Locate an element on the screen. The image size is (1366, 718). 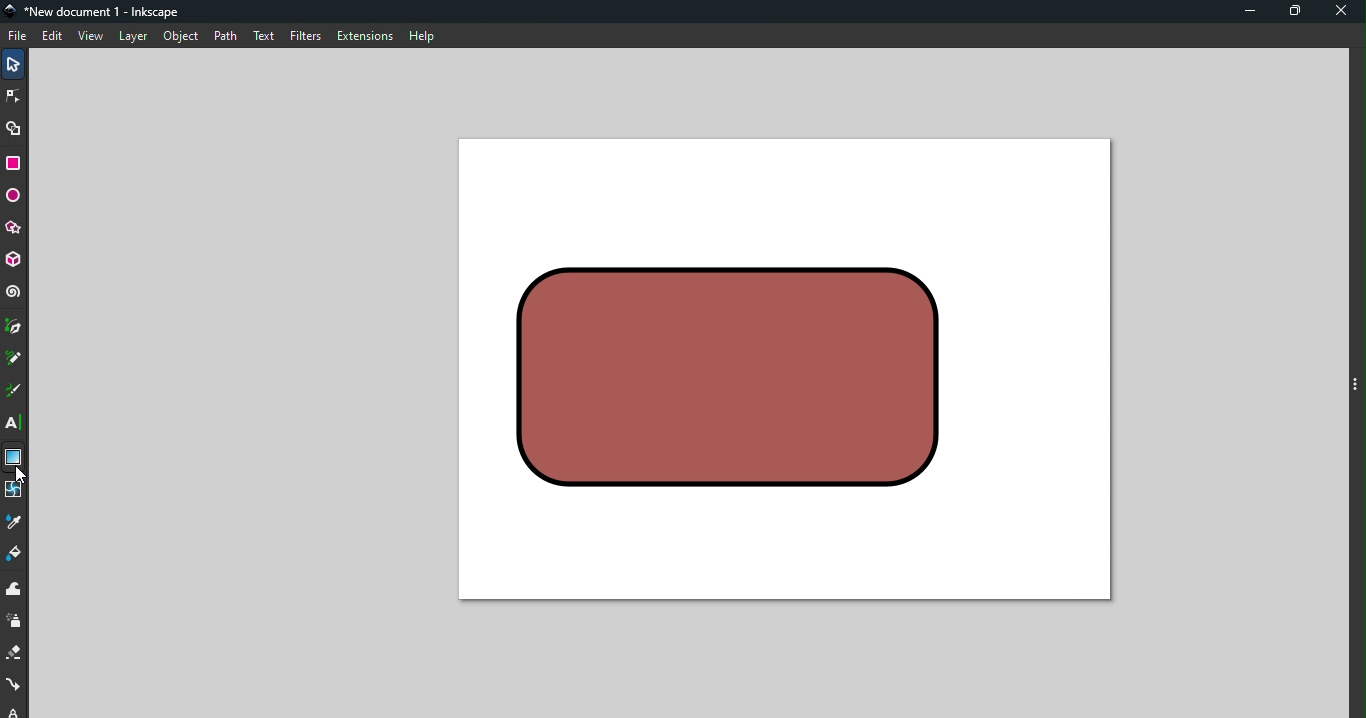
Selector tool is located at coordinates (14, 62).